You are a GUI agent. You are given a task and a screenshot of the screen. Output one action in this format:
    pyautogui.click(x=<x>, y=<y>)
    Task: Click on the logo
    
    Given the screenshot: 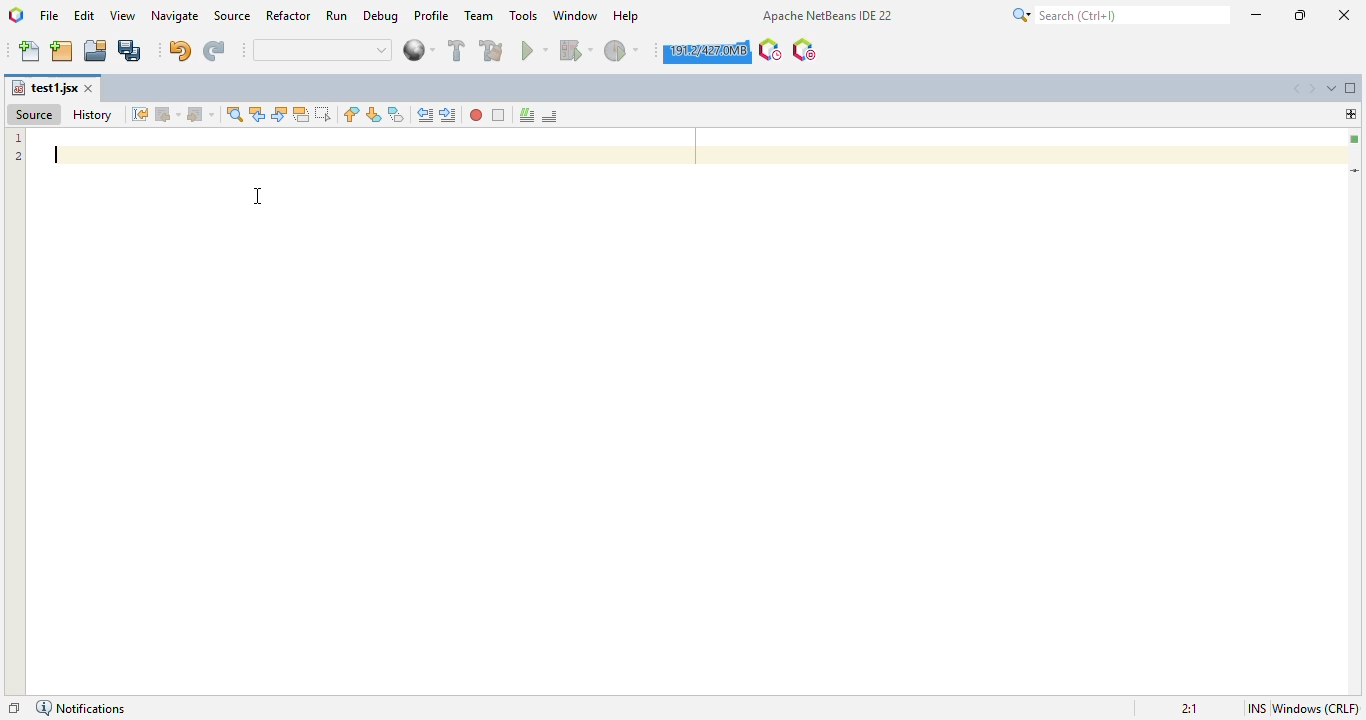 What is the action you would take?
    pyautogui.click(x=15, y=15)
    